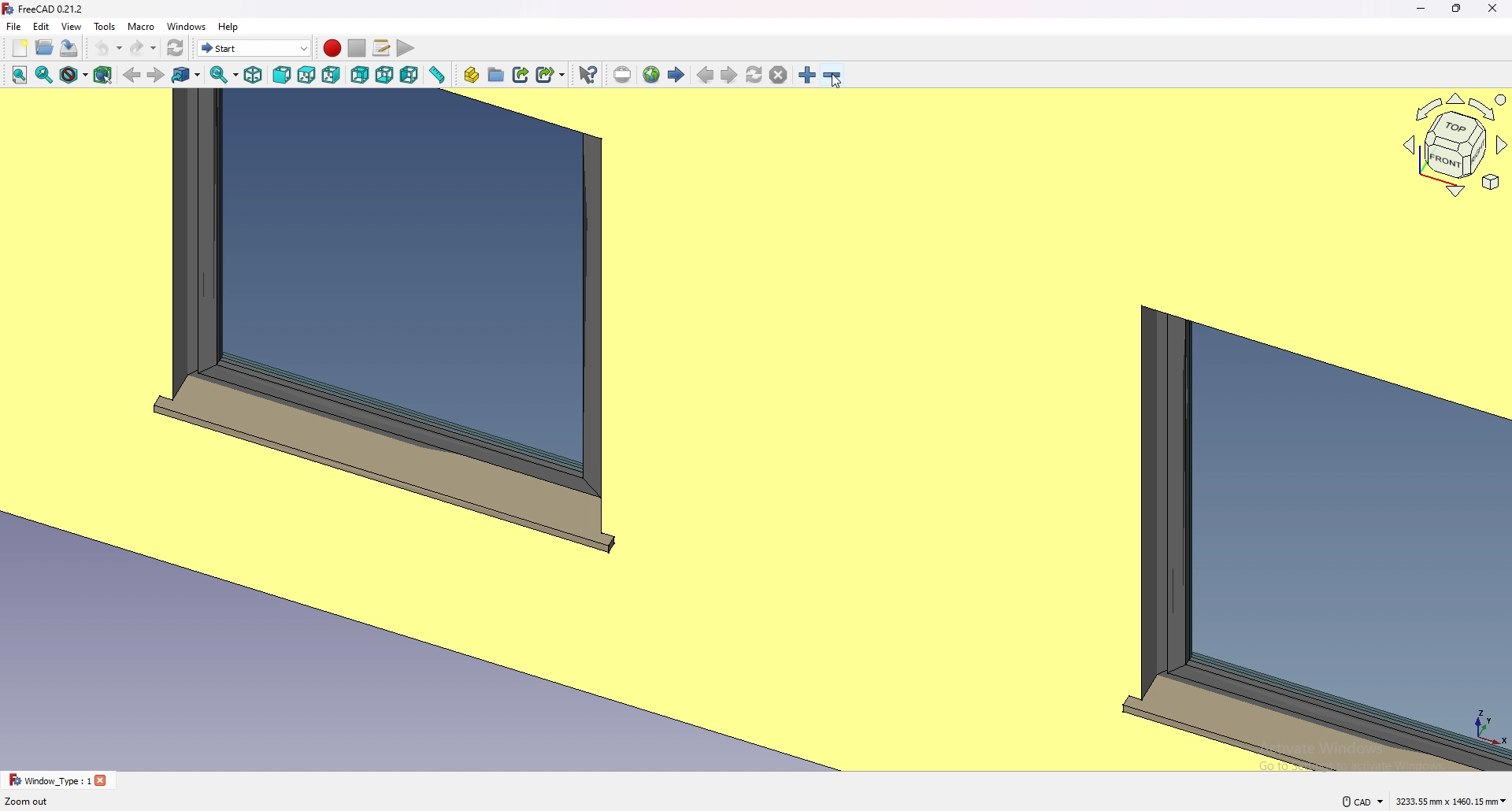  I want to click on create part, so click(471, 75).